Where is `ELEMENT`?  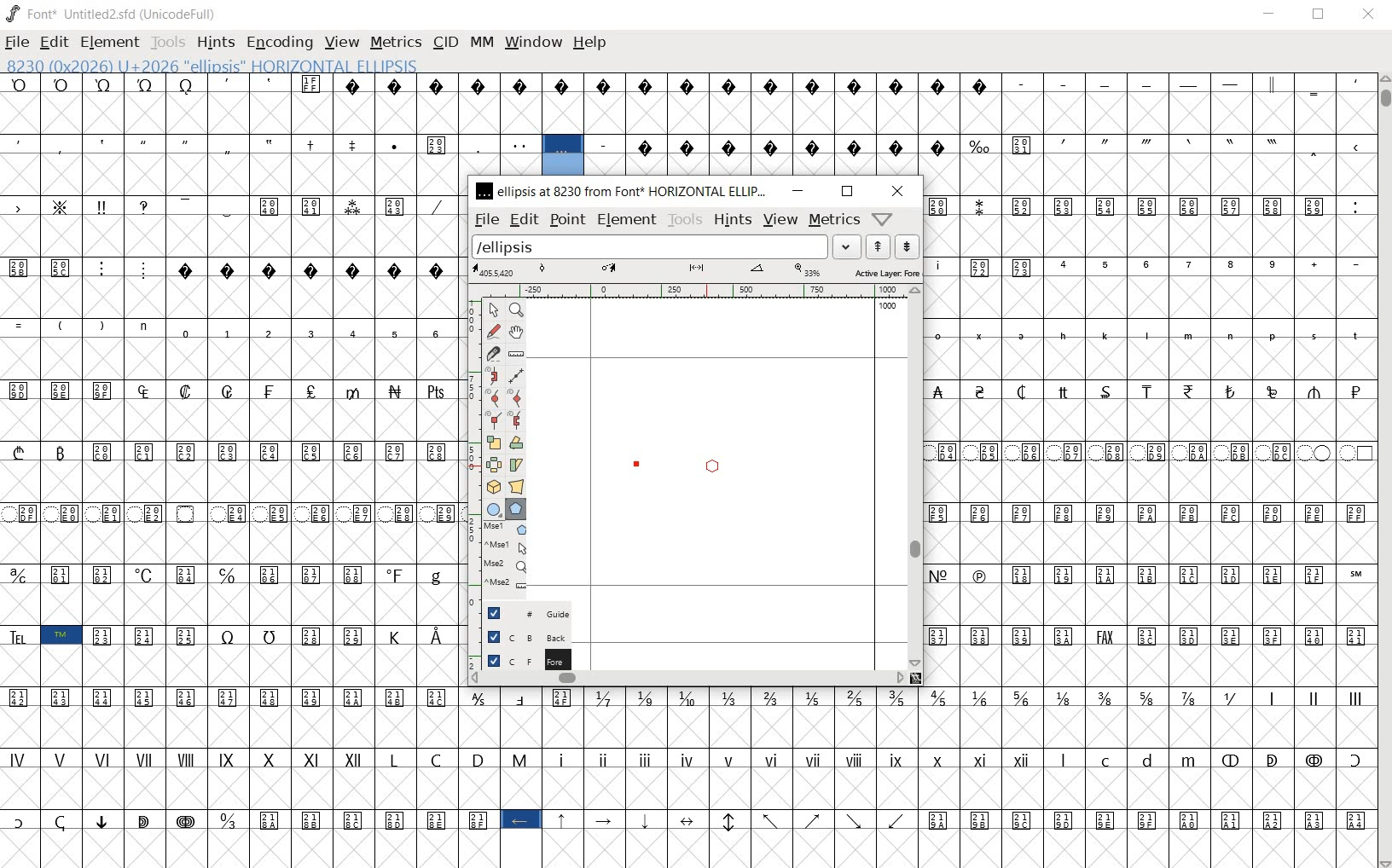 ELEMENT is located at coordinates (112, 42).